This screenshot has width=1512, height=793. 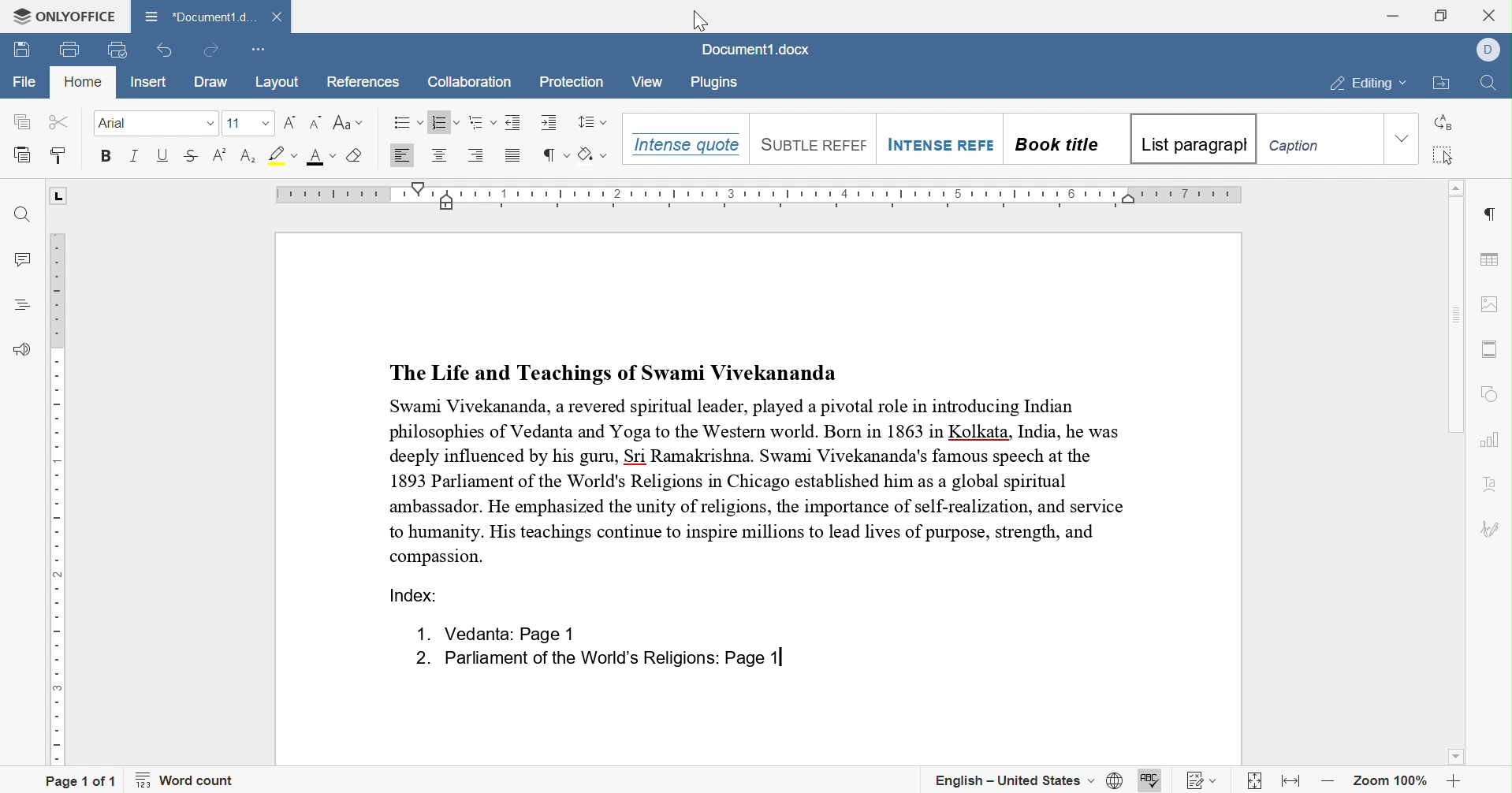 What do you see at coordinates (1403, 139) in the screenshot?
I see `drop down` at bounding box center [1403, 139].